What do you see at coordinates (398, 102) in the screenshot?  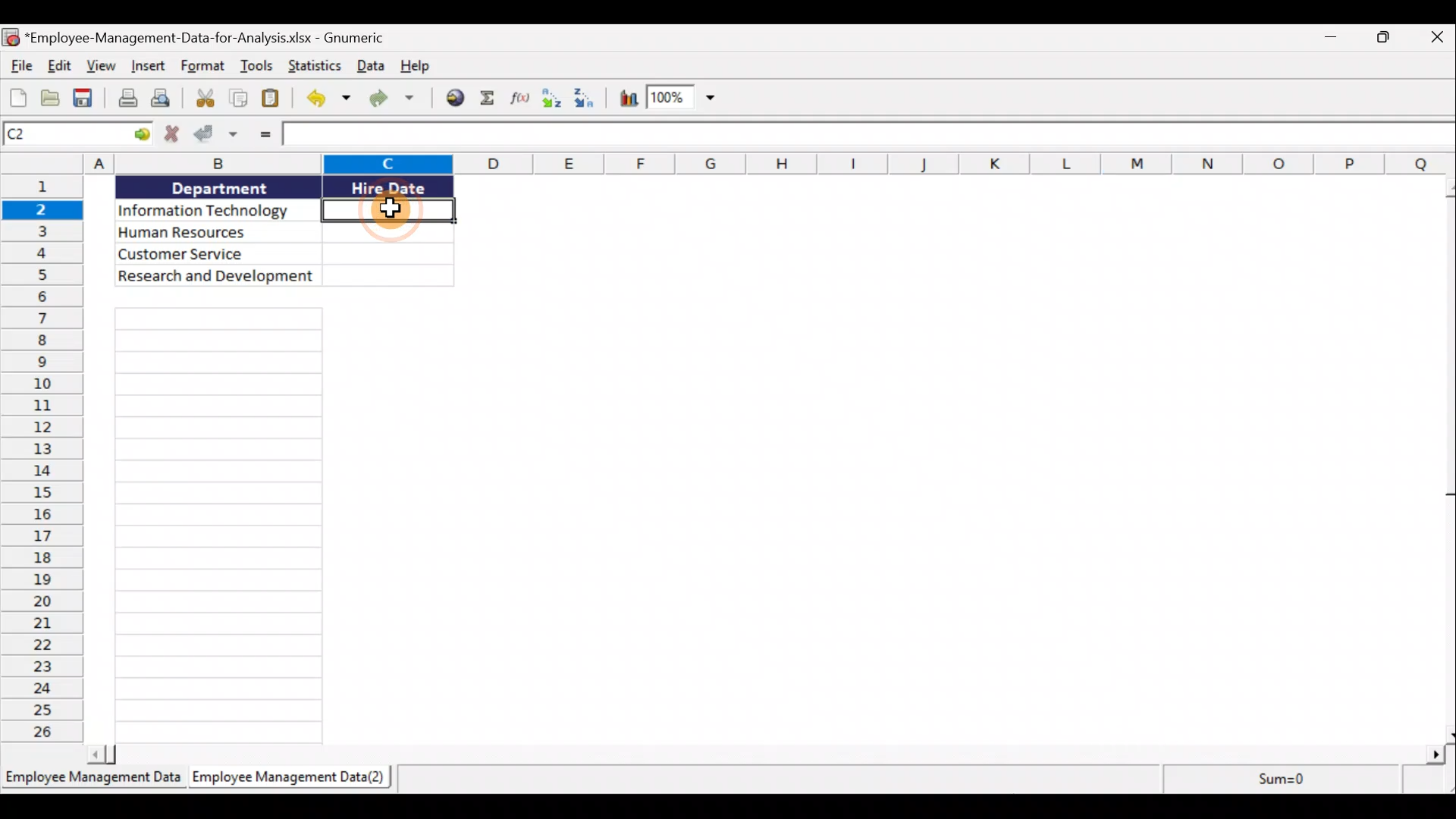 I see `Redo undone action` at bounding box center [398, 102].